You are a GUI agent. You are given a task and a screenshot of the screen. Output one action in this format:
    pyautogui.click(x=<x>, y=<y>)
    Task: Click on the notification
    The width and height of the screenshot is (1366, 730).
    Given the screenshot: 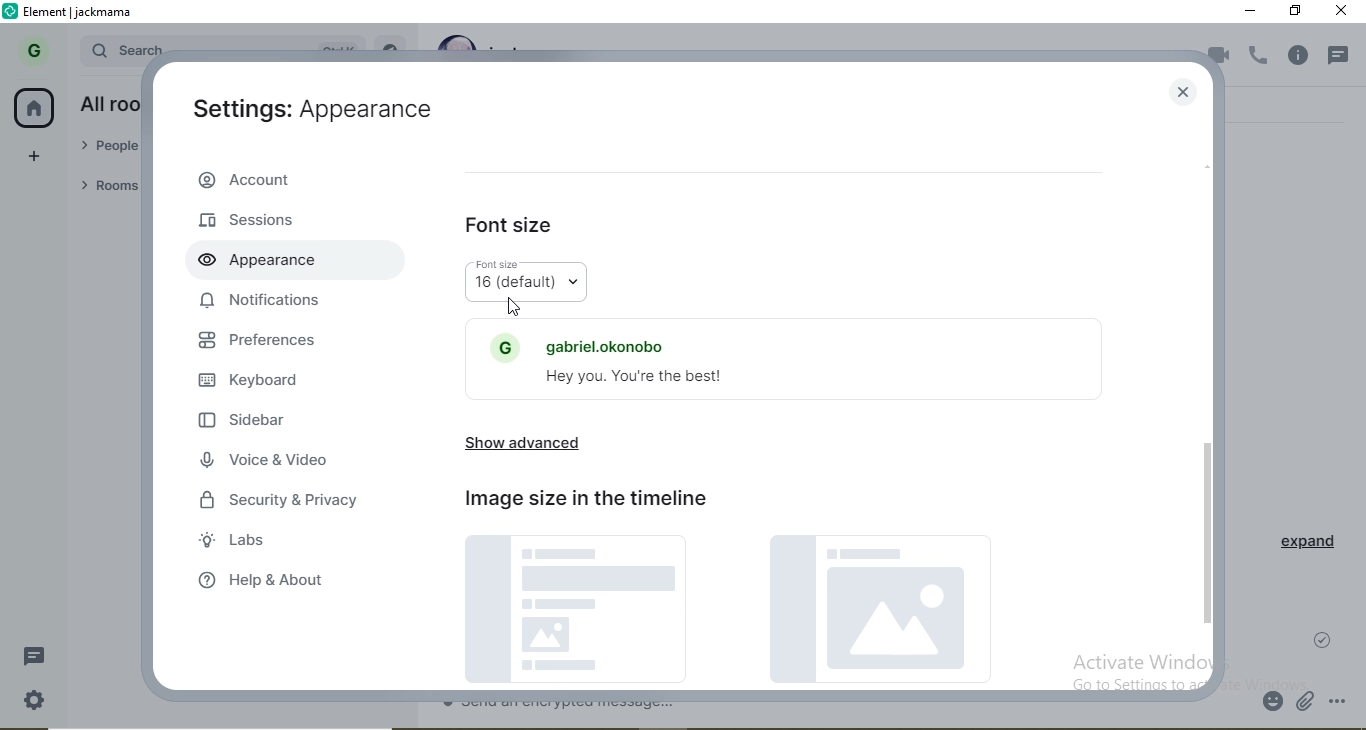 What is the action you would take?
    pyautogui.click(x=1342, y=51)
    